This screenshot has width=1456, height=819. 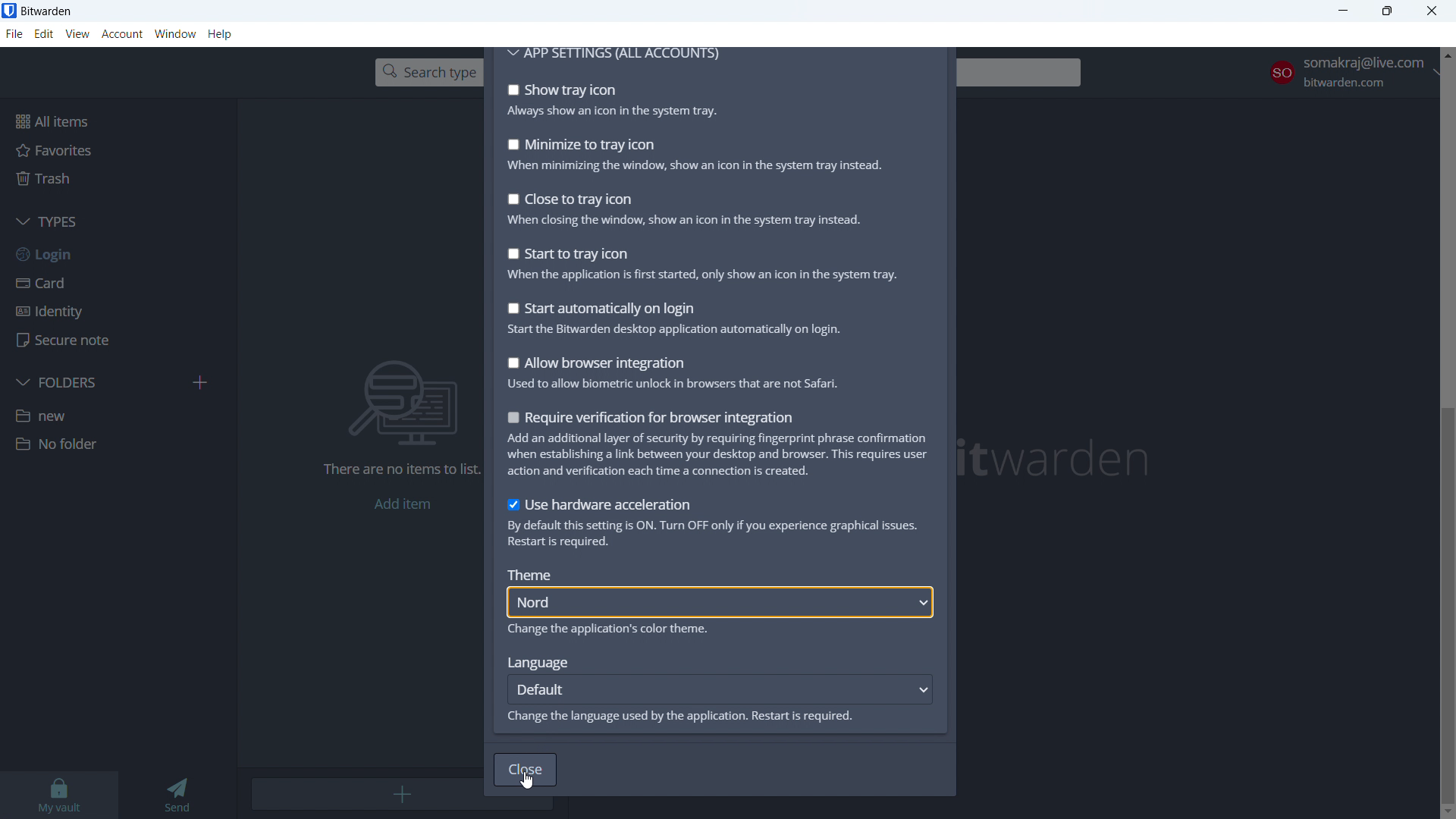 What do you see at coordinates (533, 573) in the screenshot?
I see `Theme` at bounding box center [533, 573].